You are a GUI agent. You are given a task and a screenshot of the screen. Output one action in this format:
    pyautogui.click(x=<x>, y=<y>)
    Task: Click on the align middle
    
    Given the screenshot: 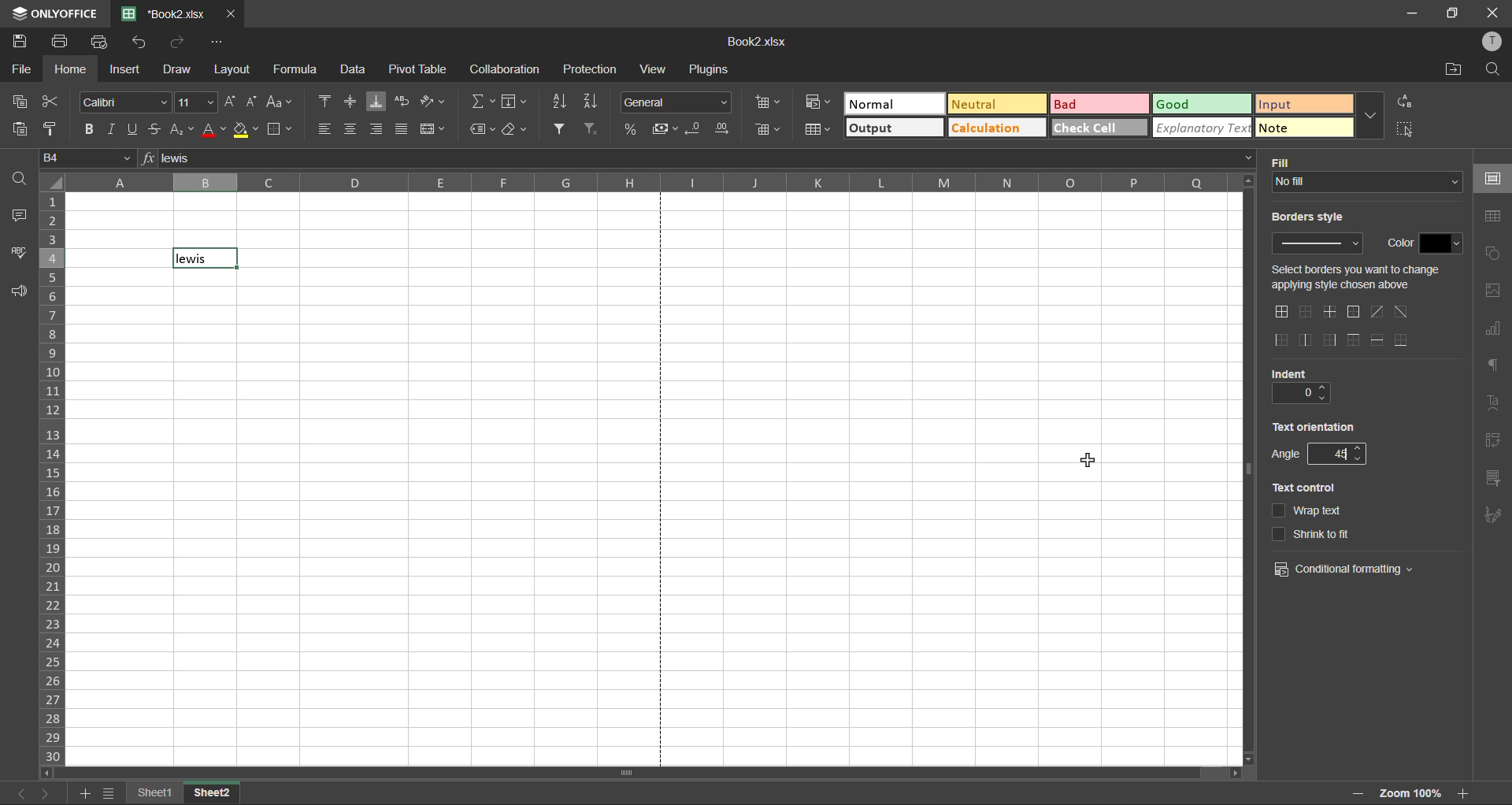 What is the action you would take?
    pyautogui.click(x=350, y=103)
    